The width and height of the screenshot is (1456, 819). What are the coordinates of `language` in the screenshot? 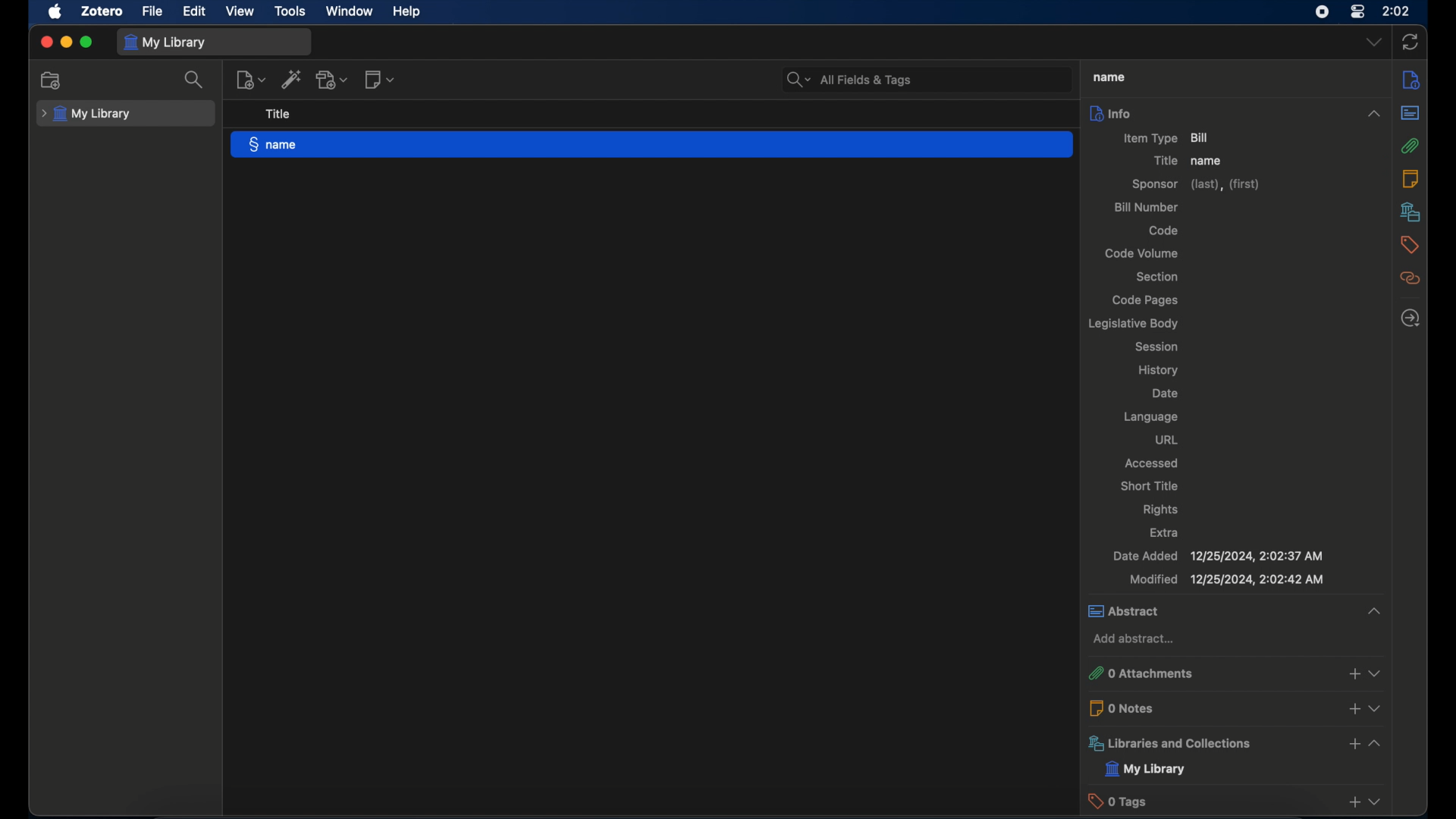 It's located at (1150, 418).